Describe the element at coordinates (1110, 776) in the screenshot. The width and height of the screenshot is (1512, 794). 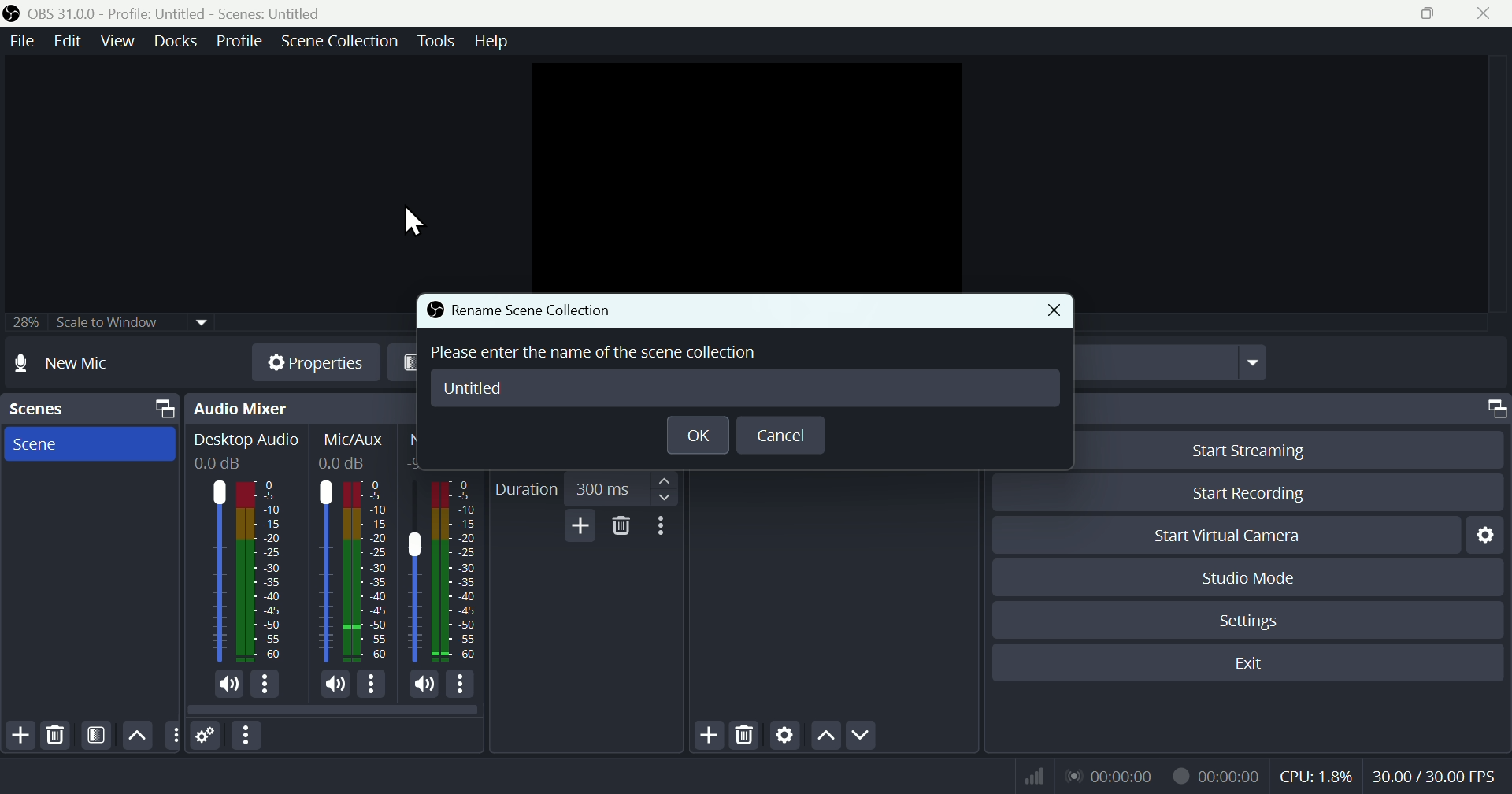
I see `Live Status` at that location.